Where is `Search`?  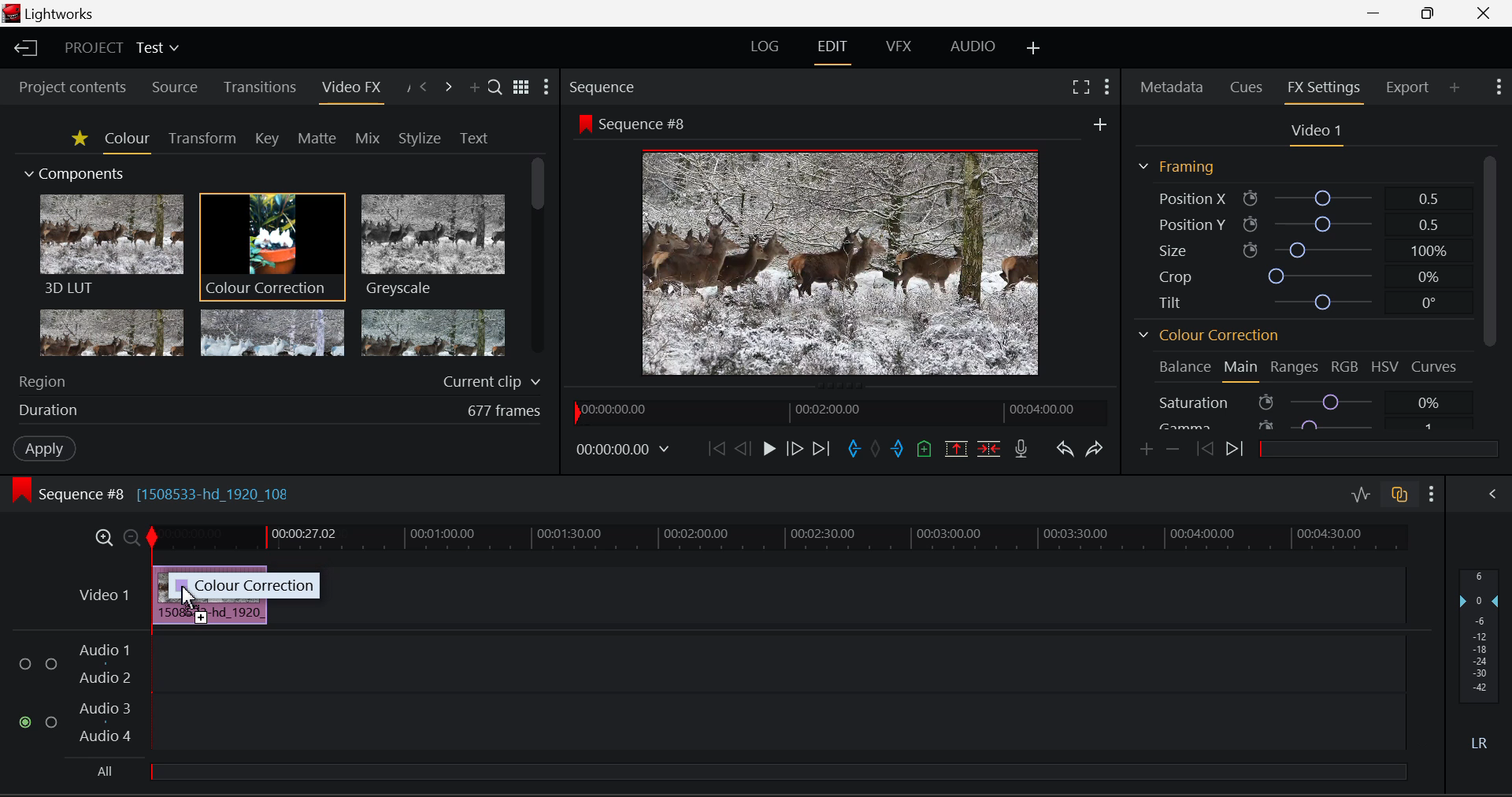 Search is located at coordinates (492, 84).